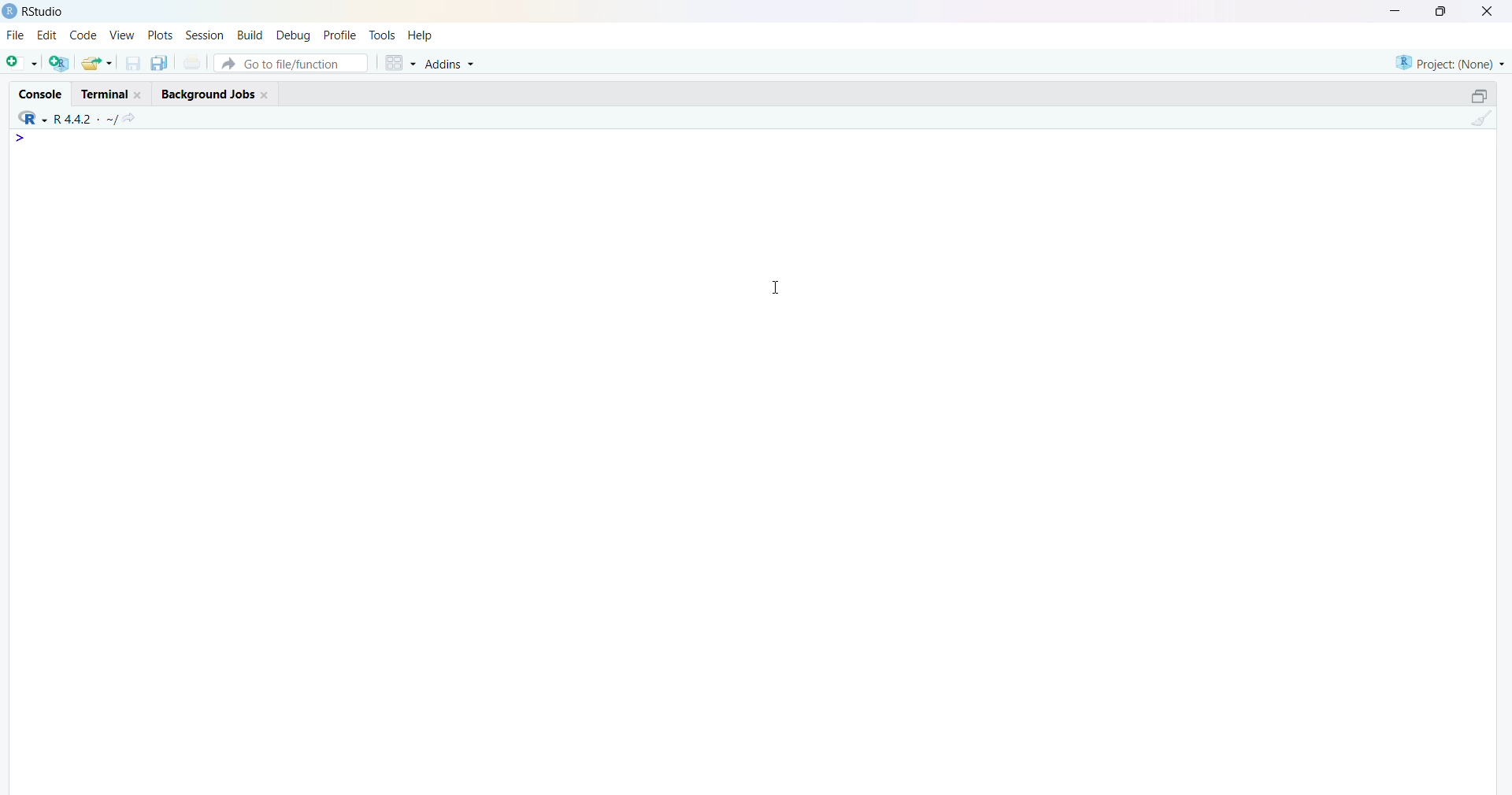 The width and height of the screenshot is (1512, 795). What do you see at coordinates (776, 287) in the screenshot?
I see `cursor` at bounding box center [776, 287].